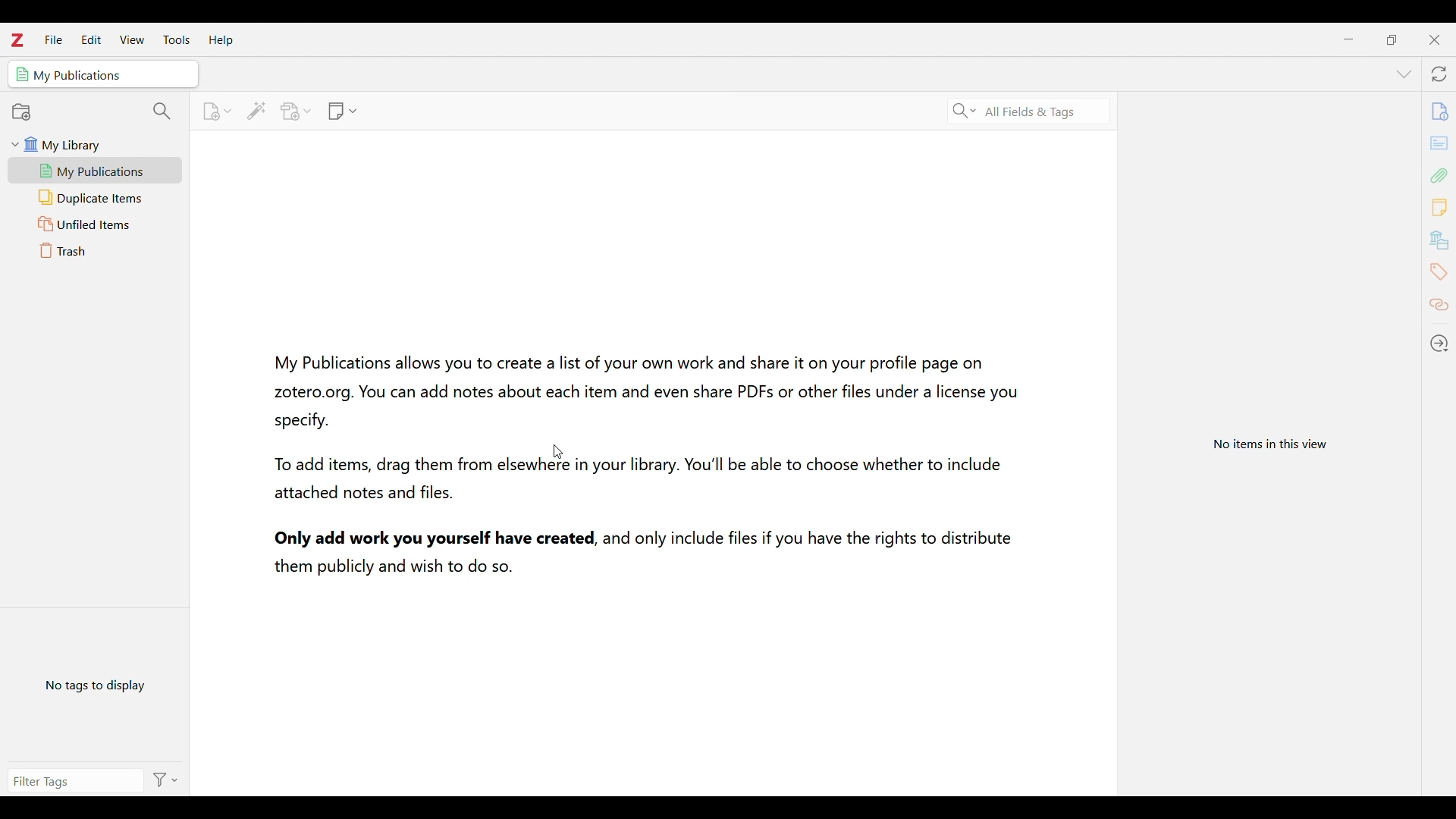 The image size is (1456, 819). What do you see at coordinates (103, 74) in the screenshot?
I see `Current tab` at bounding box center [103, 74].